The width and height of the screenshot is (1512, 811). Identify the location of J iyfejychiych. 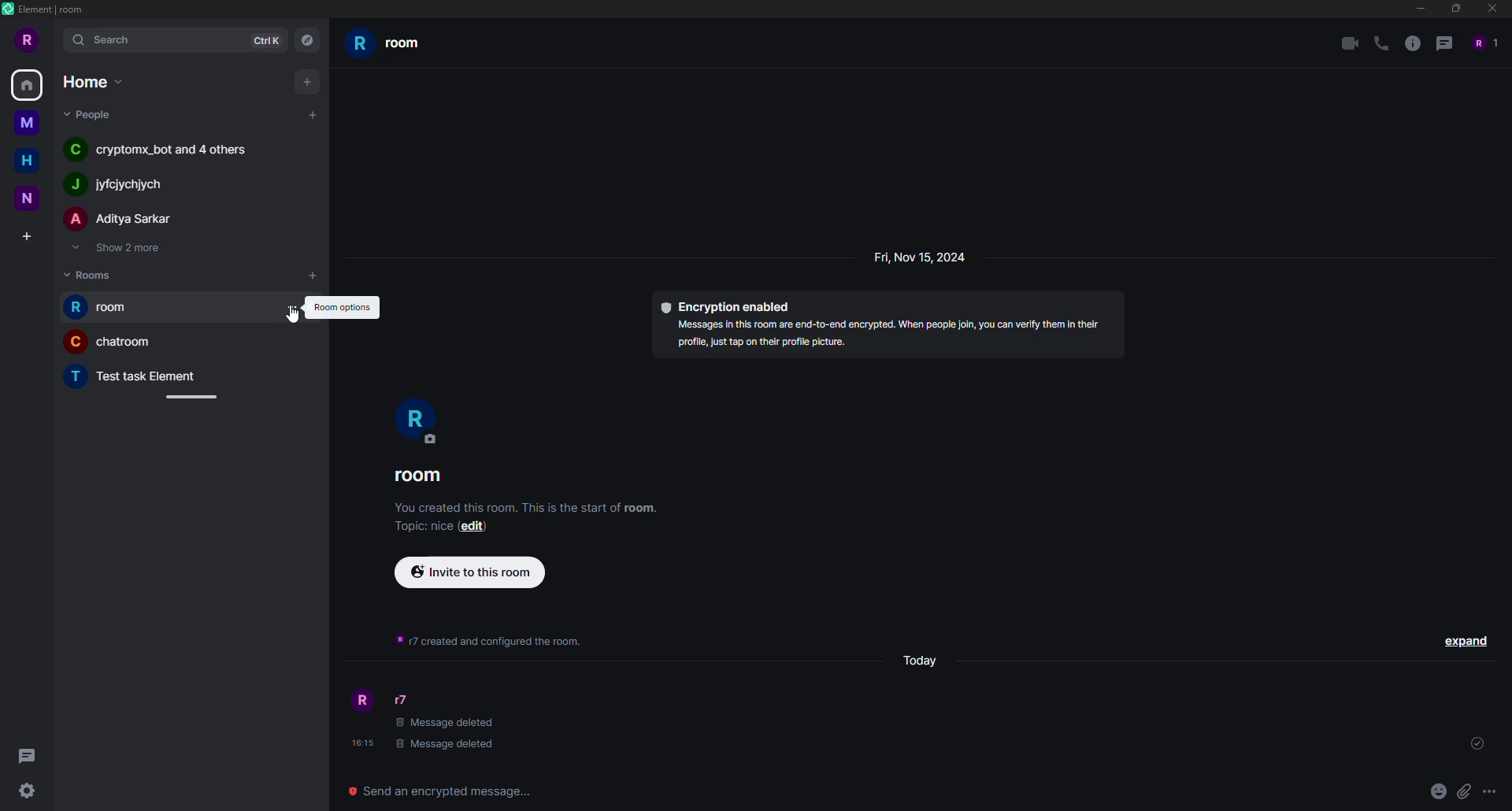
(120, 183).